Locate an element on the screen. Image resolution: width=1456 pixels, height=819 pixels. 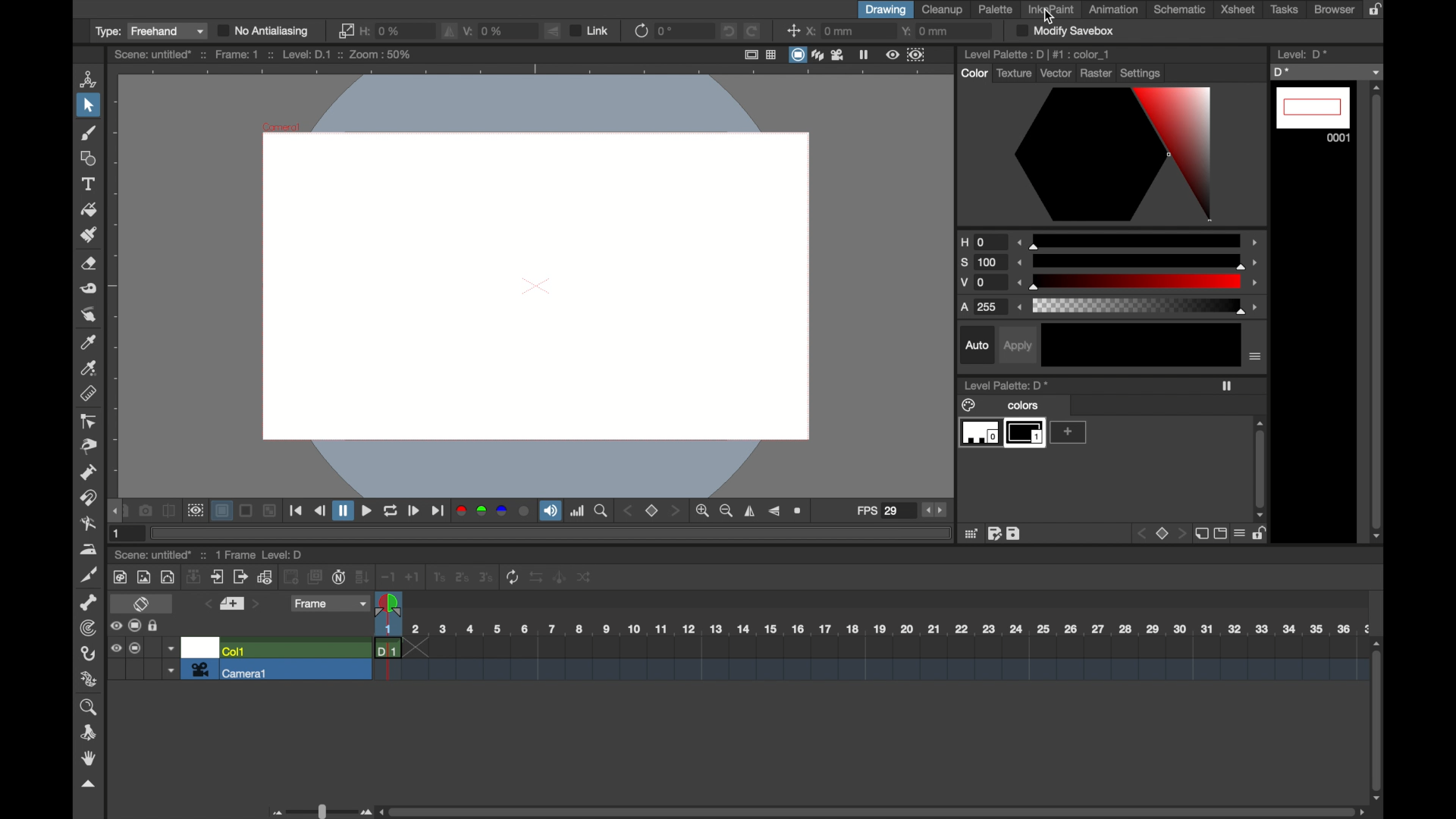
center is located at coordinates (791, 31).